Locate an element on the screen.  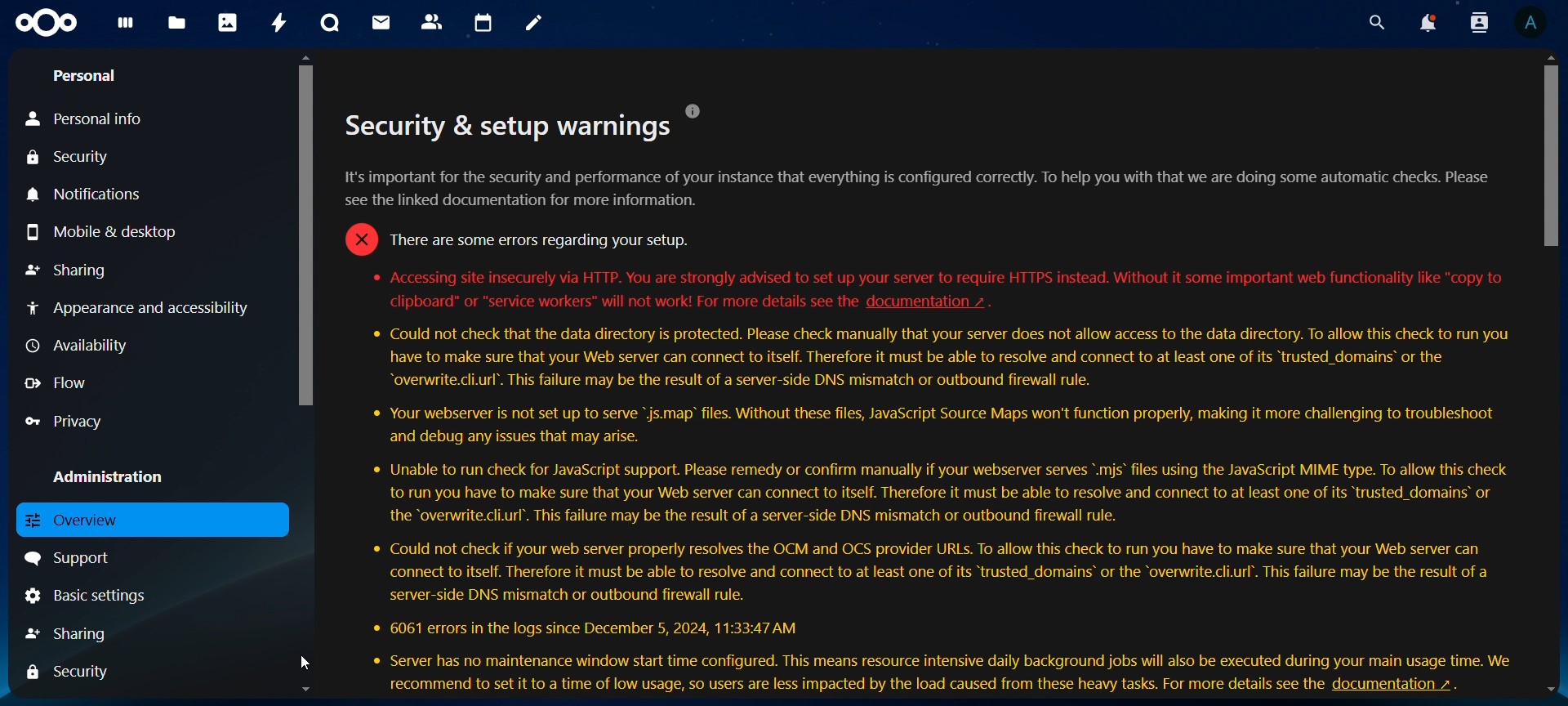
view profile is located at coordinates (1534, 25).